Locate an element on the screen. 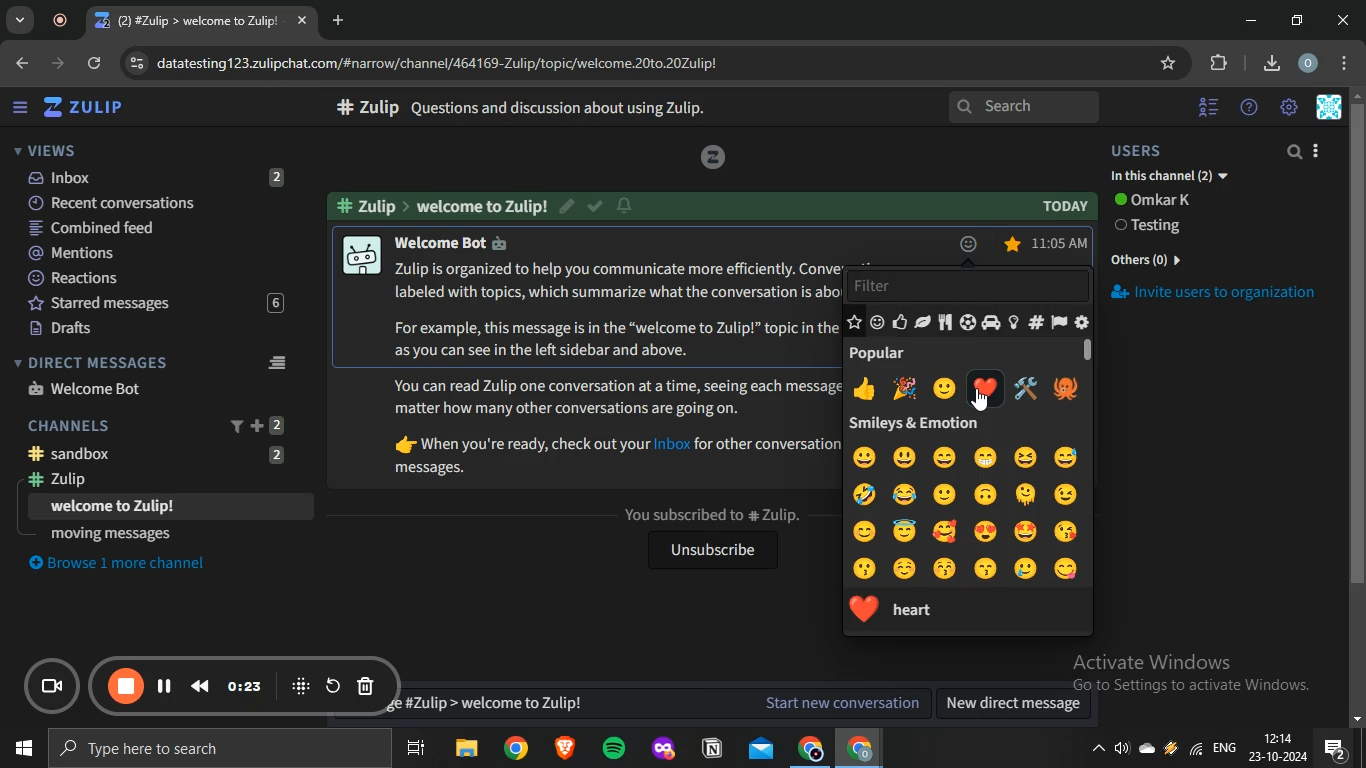 The image size is (1366, 768). smiley and emotion is located at coordinates (878, 324).